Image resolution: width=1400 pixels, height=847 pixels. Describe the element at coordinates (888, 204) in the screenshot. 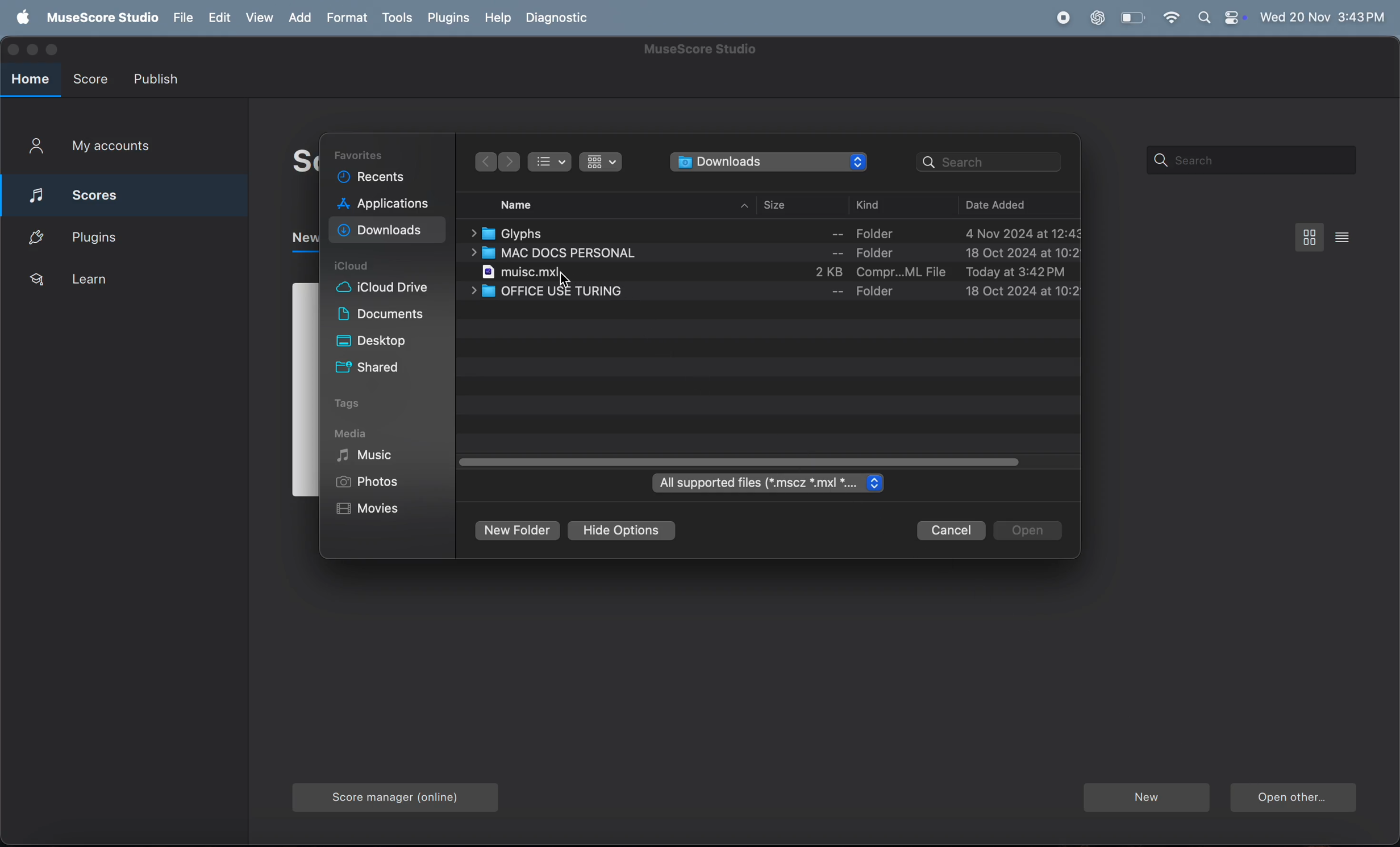

I see `kind` at that location.